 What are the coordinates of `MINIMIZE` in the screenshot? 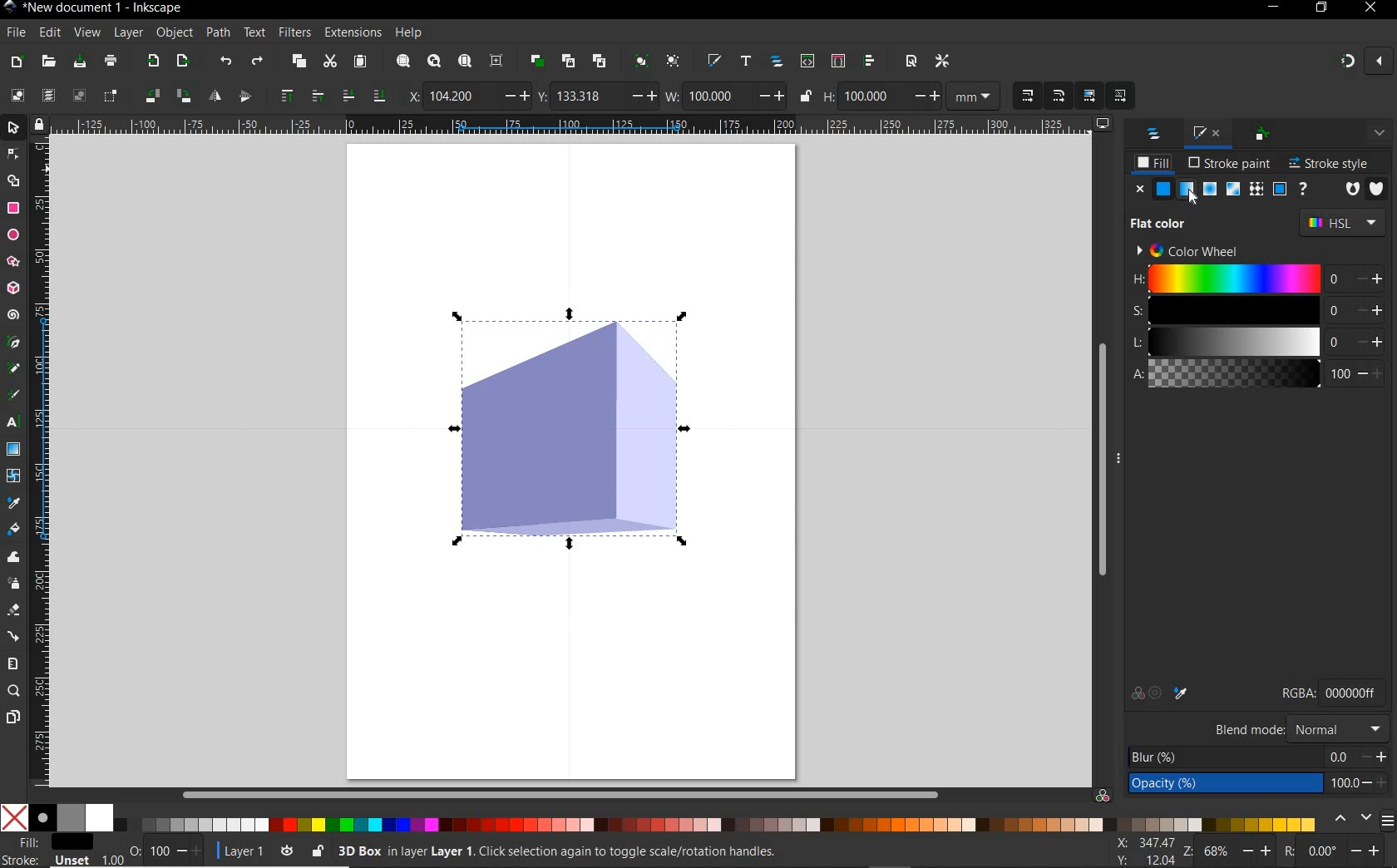 It's located at (1274, 7).